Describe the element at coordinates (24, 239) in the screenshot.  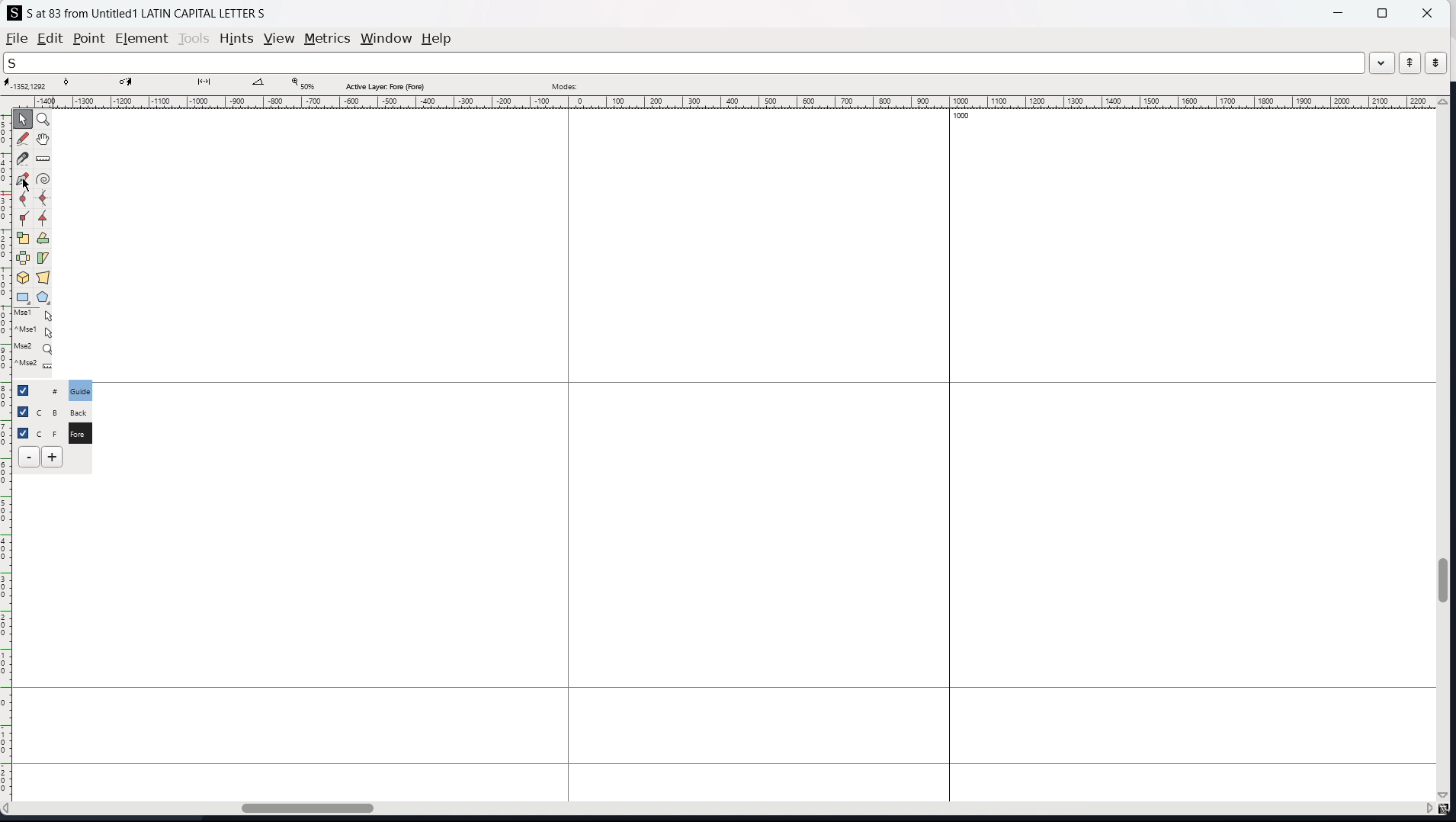
I see `scale the selection` at that location.